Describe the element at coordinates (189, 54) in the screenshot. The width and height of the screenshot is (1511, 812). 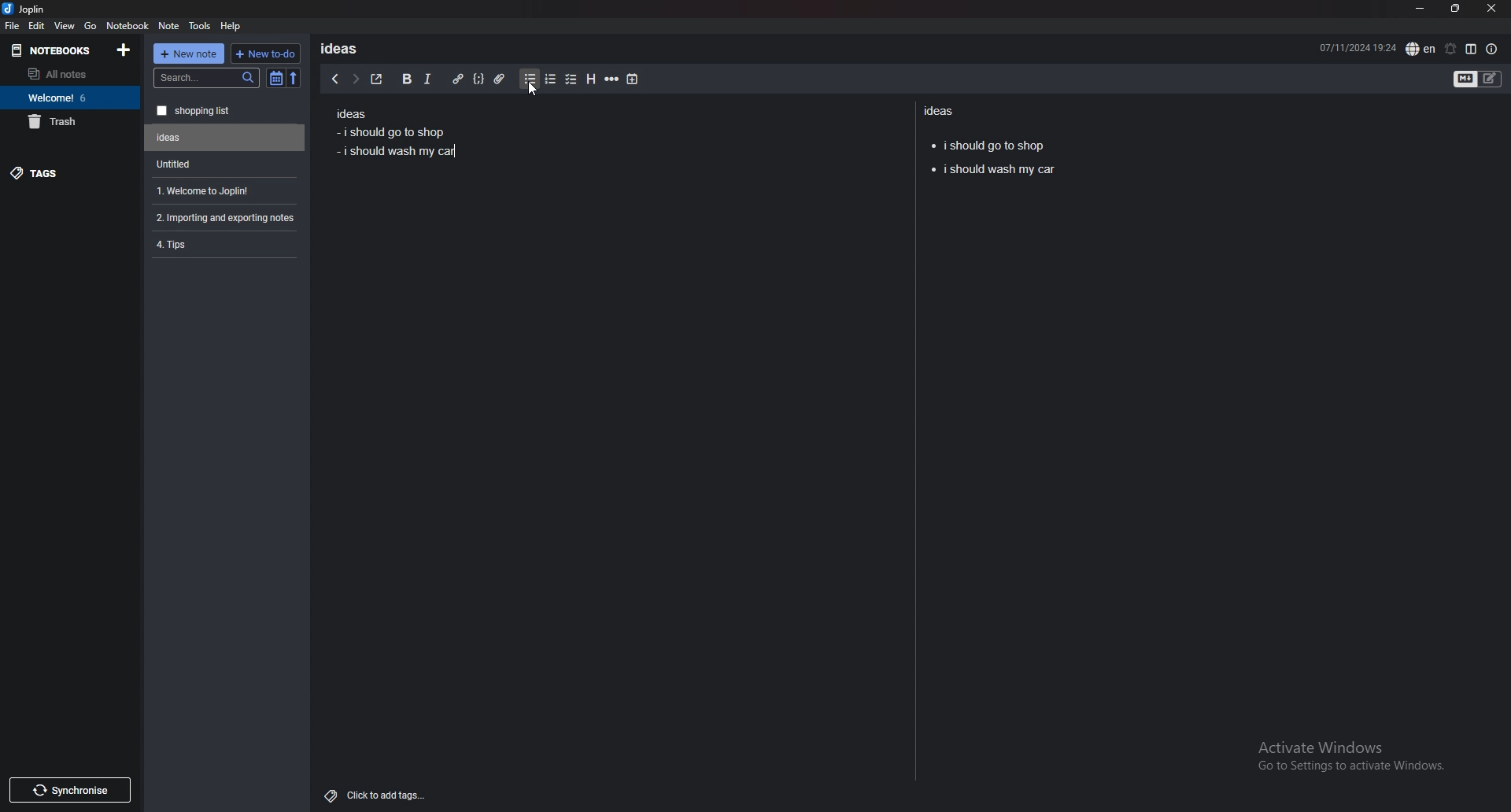
I see `new note` at that location.